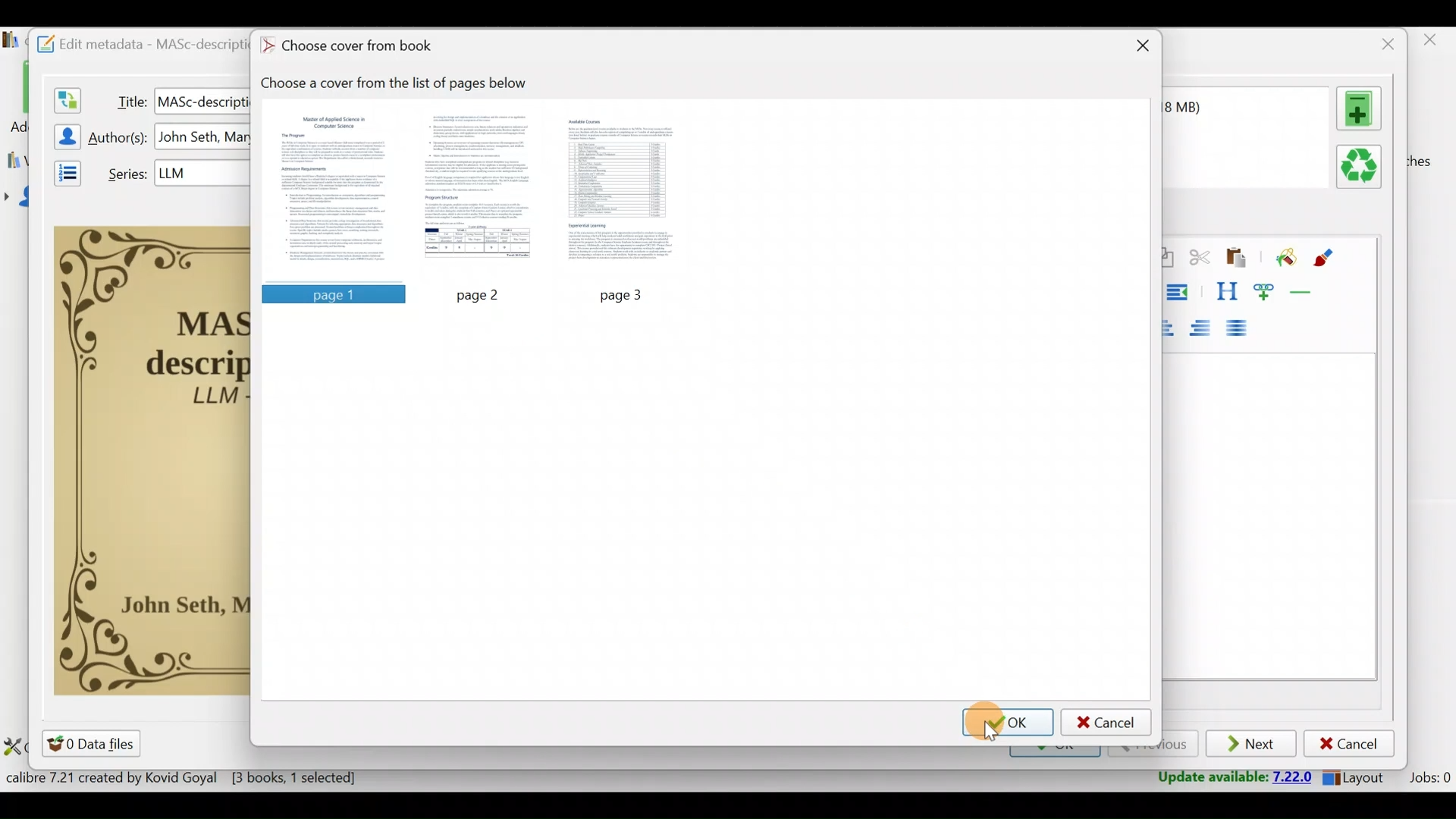  What do you see at coordinates (1180, 292) in the screenshot?
I see `Decrease indentation` at bounding box center [1180, 292].